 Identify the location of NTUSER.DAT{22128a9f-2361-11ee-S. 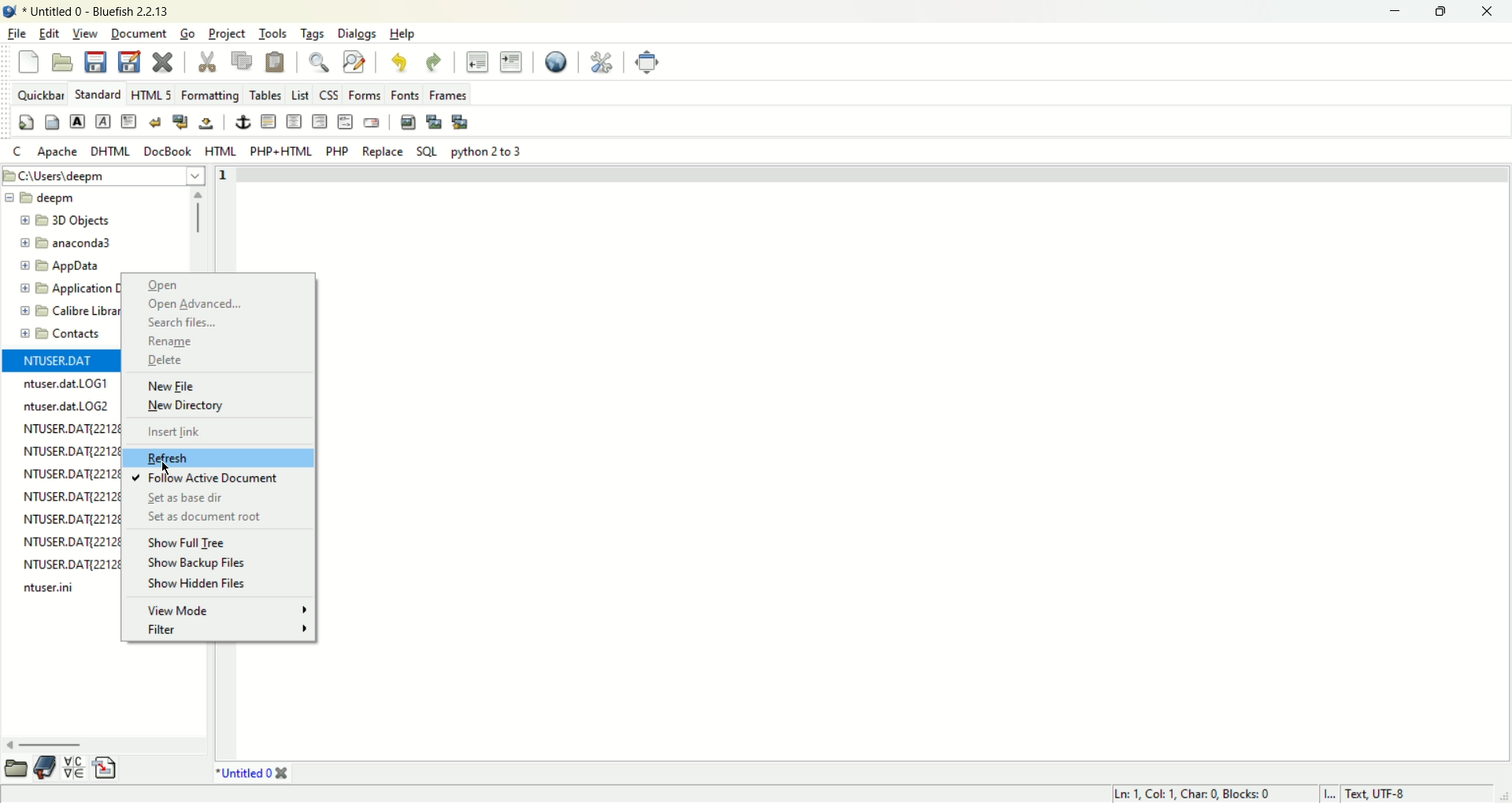
(72, 495).